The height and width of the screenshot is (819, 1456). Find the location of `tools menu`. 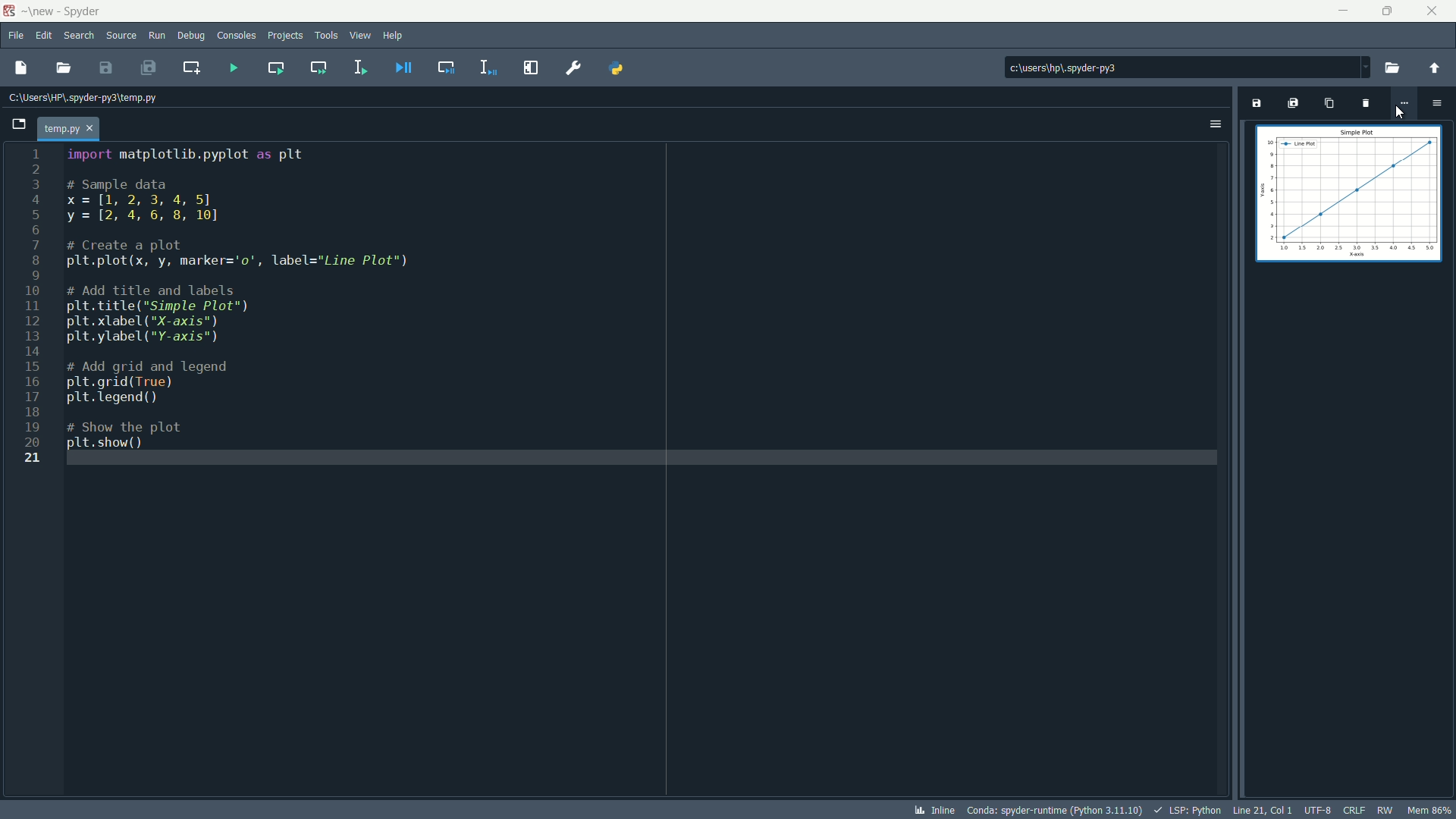

tools menu is located at coordinates (326, 35).